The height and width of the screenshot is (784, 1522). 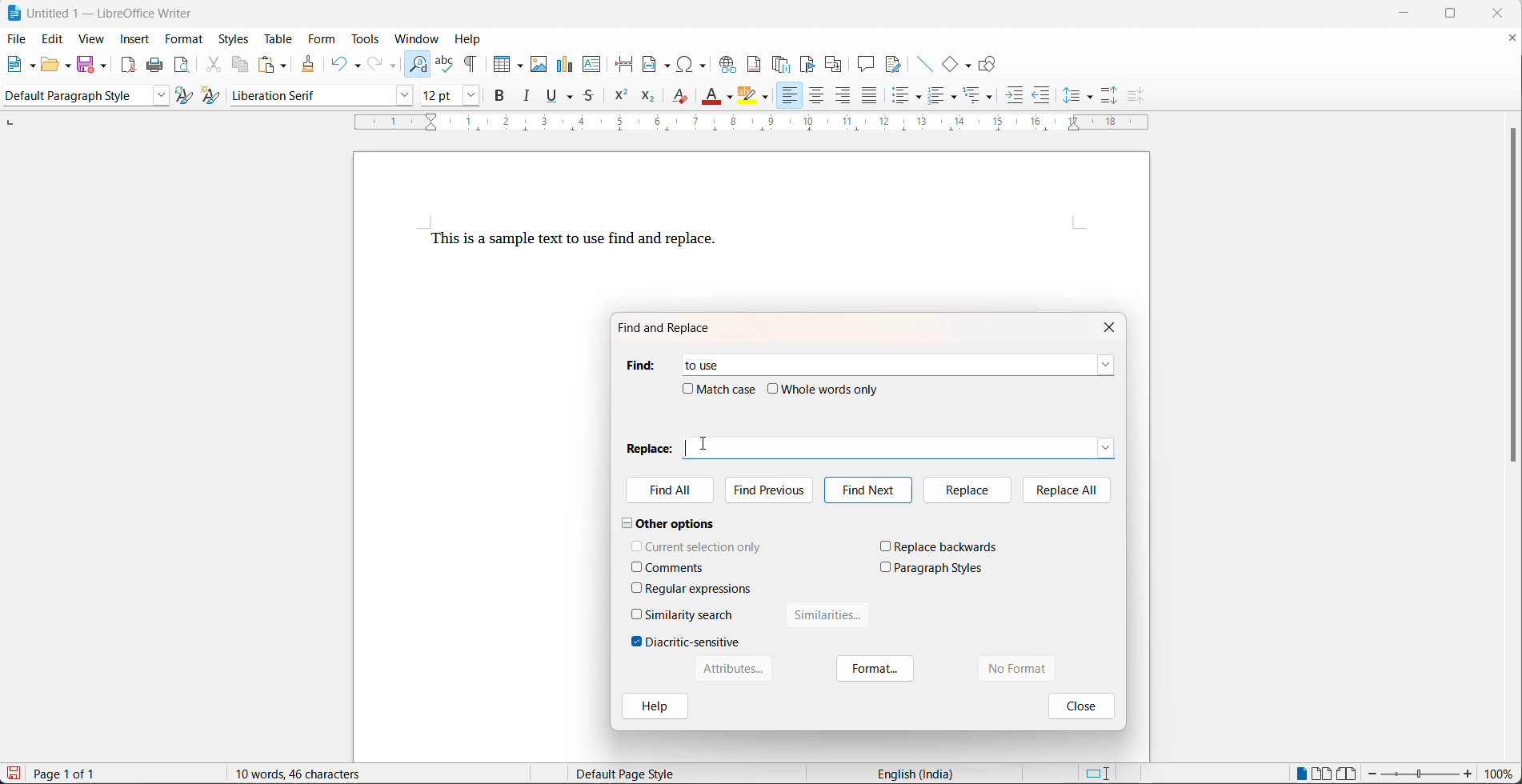 I want to click on no format, so click(x=1034, y=669).